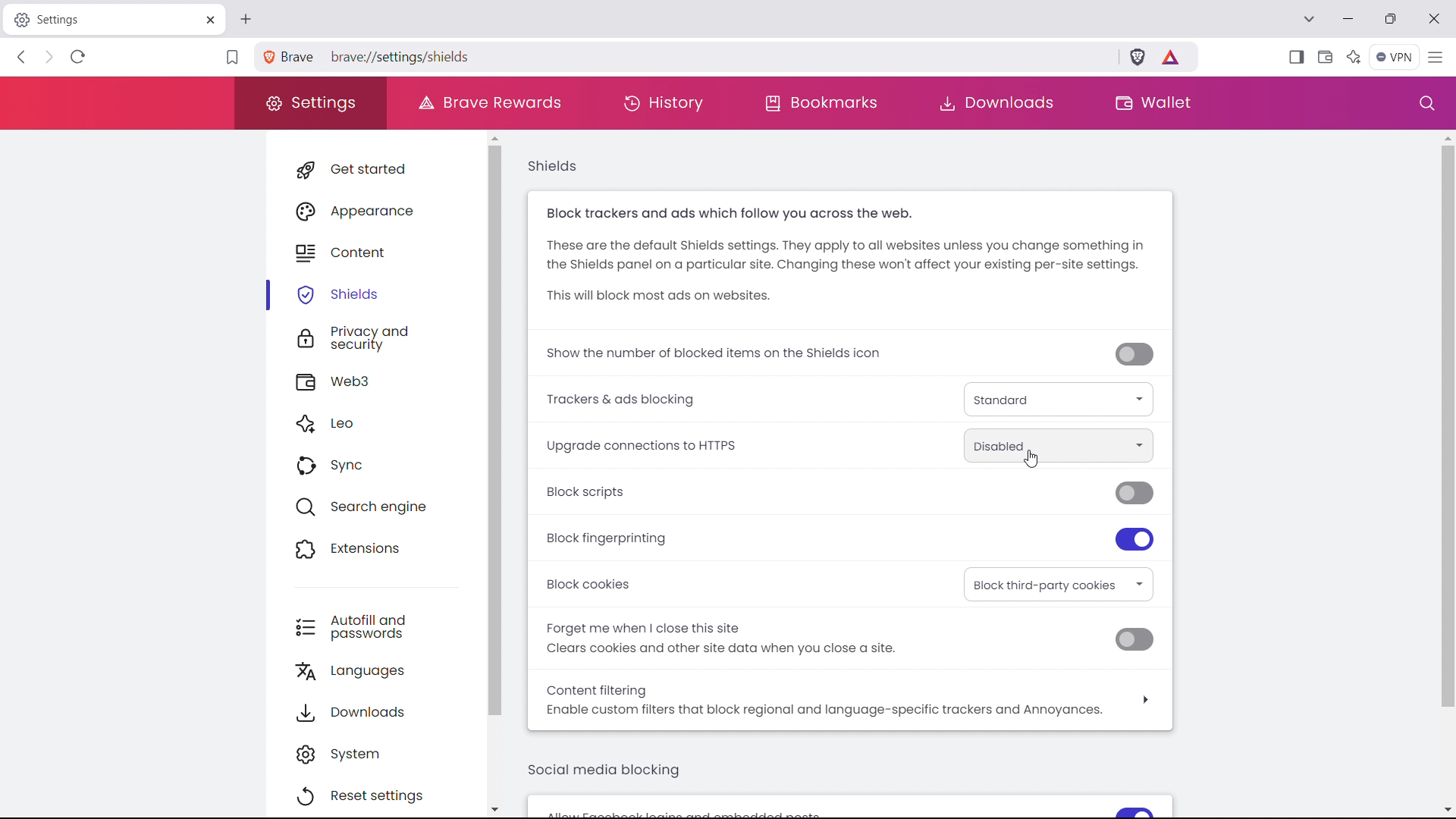  I want to click on toggle on, so click(1137, 540).